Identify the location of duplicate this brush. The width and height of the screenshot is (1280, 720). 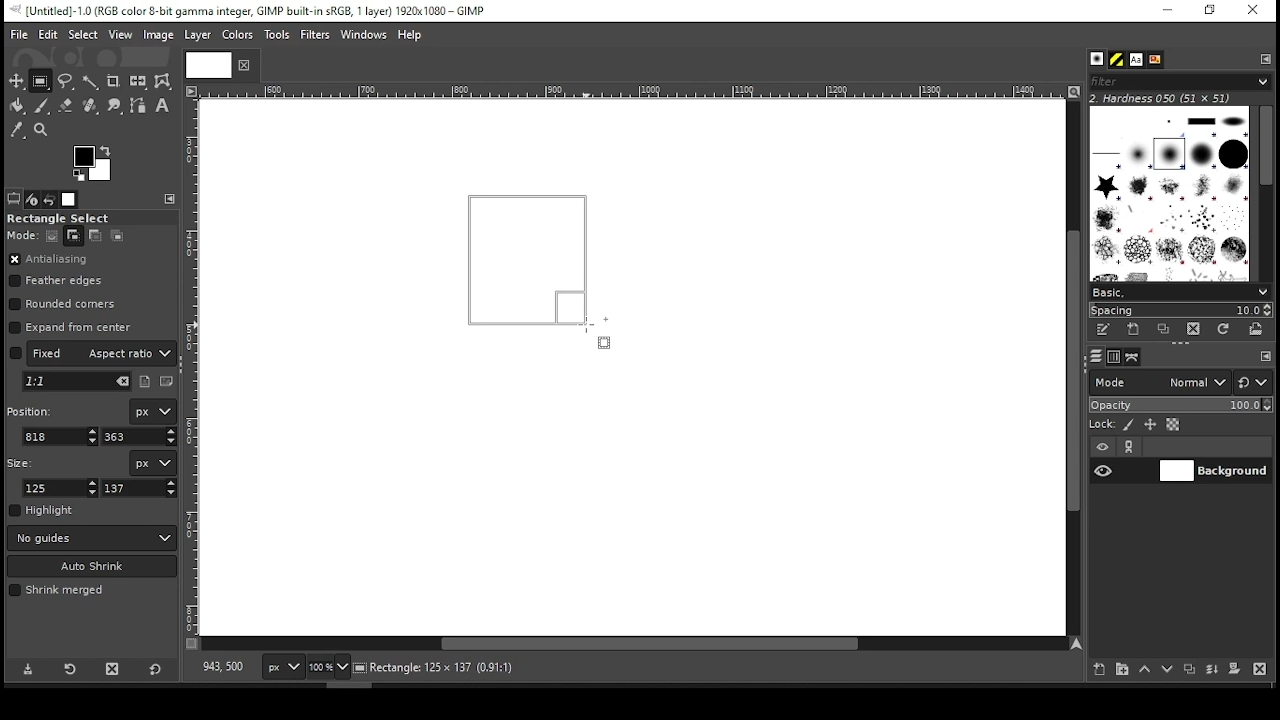
(1169, 329).